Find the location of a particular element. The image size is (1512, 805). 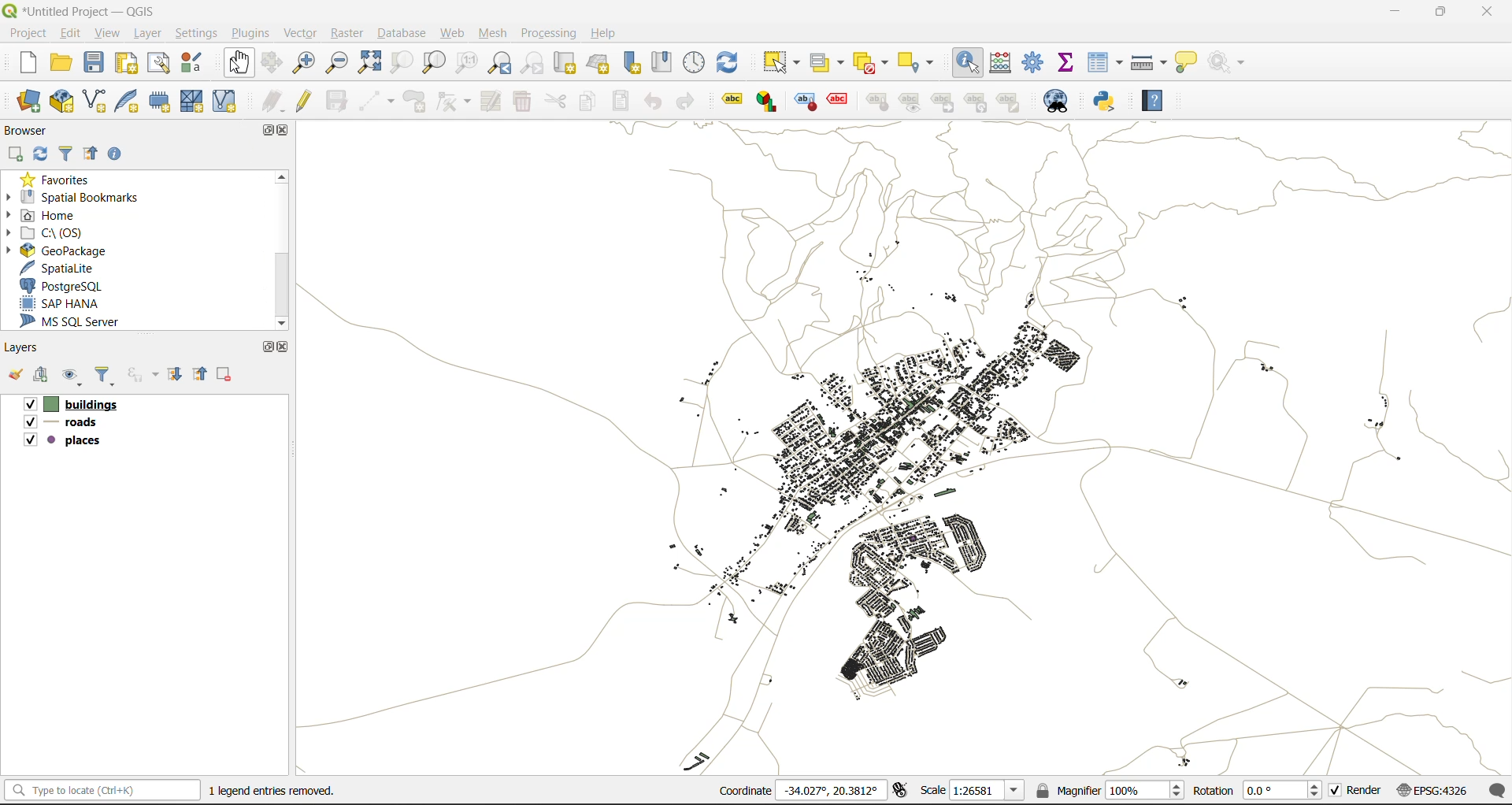

add is located at coordinates (13, 154).